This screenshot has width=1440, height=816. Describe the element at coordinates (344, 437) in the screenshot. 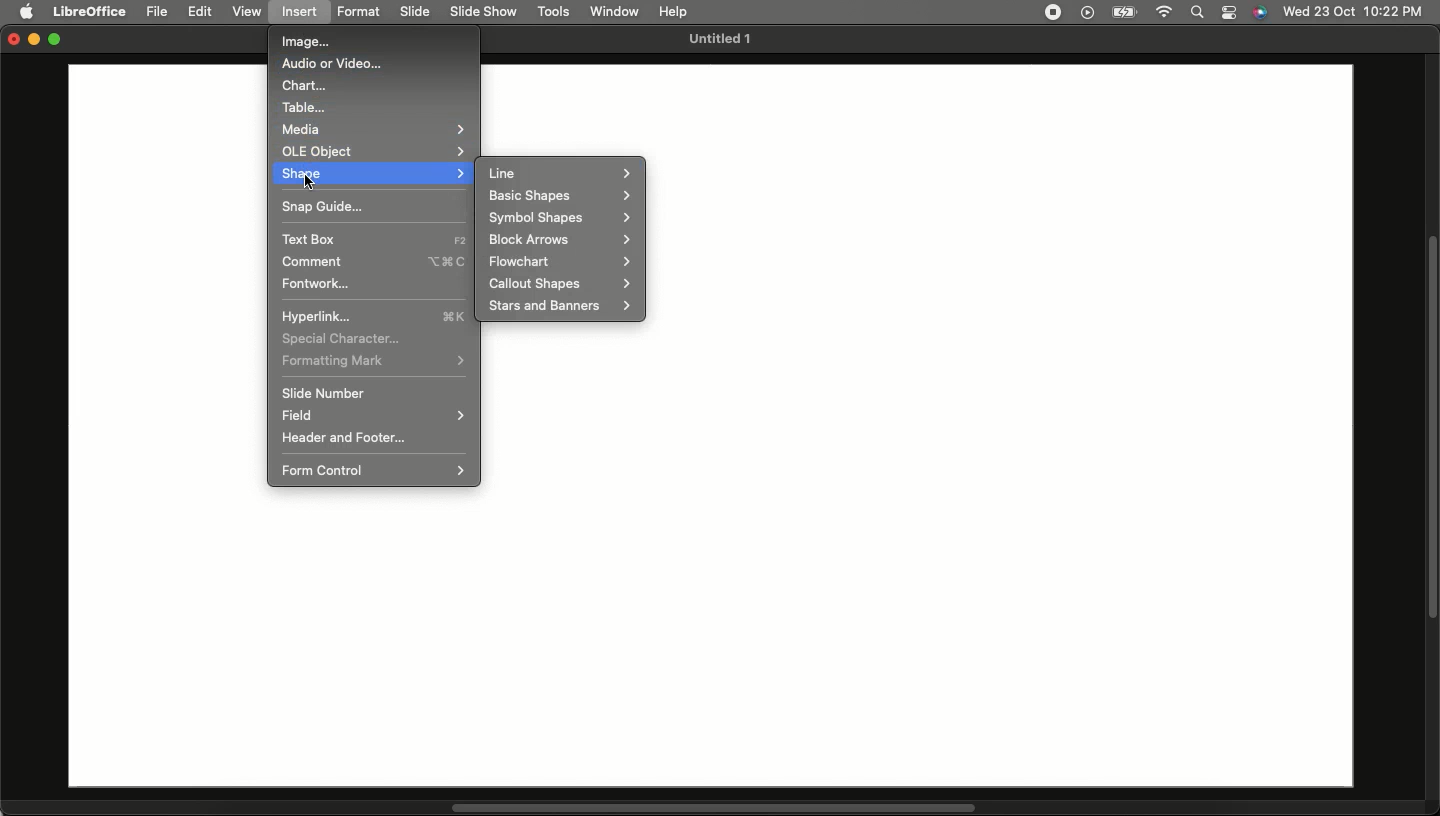

I see `Header and footer` at that location.